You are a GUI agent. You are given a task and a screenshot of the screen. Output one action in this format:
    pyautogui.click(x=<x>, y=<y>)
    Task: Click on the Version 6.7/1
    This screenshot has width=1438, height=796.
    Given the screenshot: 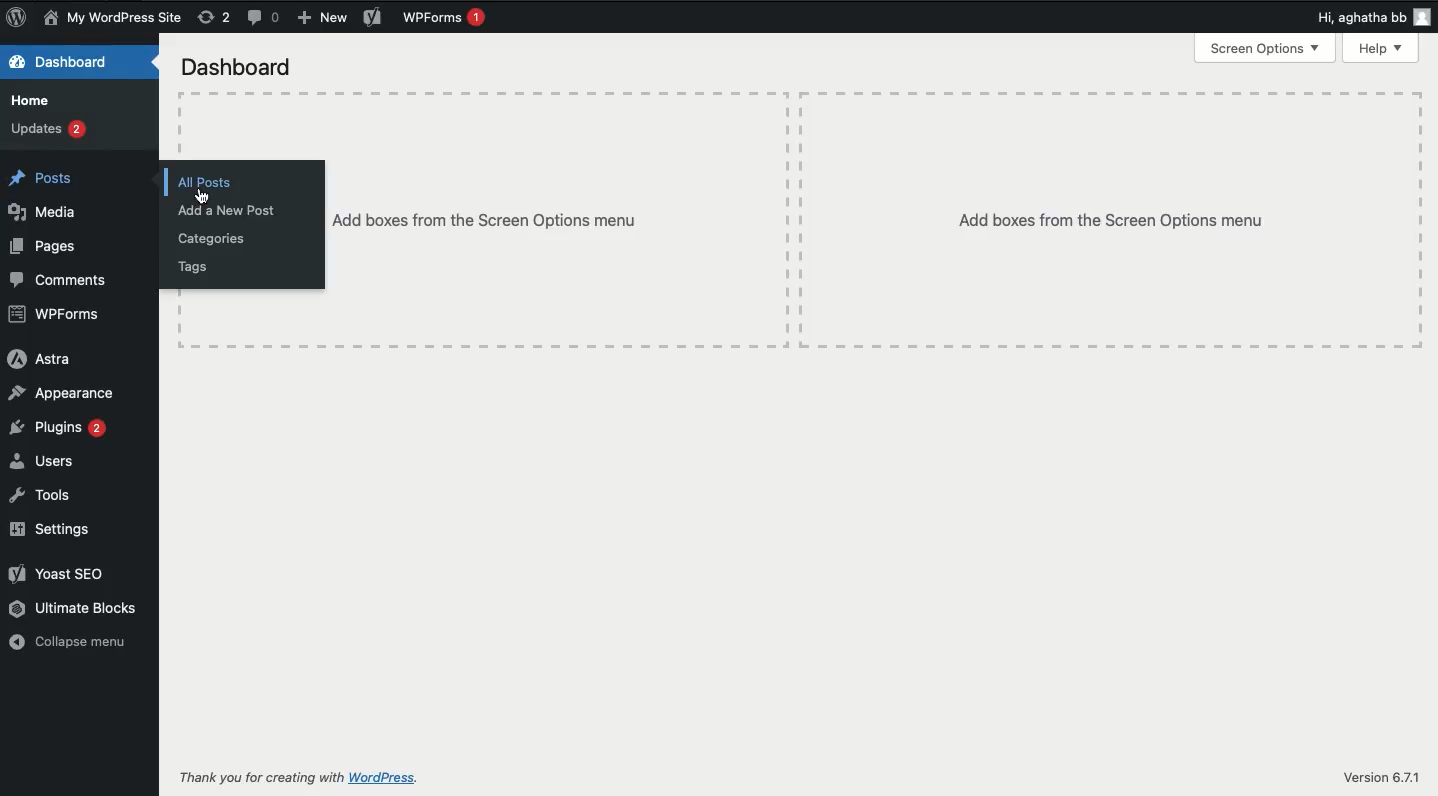 What is the action you would take?
    pyautogui.click(x=1381, y=777)
    